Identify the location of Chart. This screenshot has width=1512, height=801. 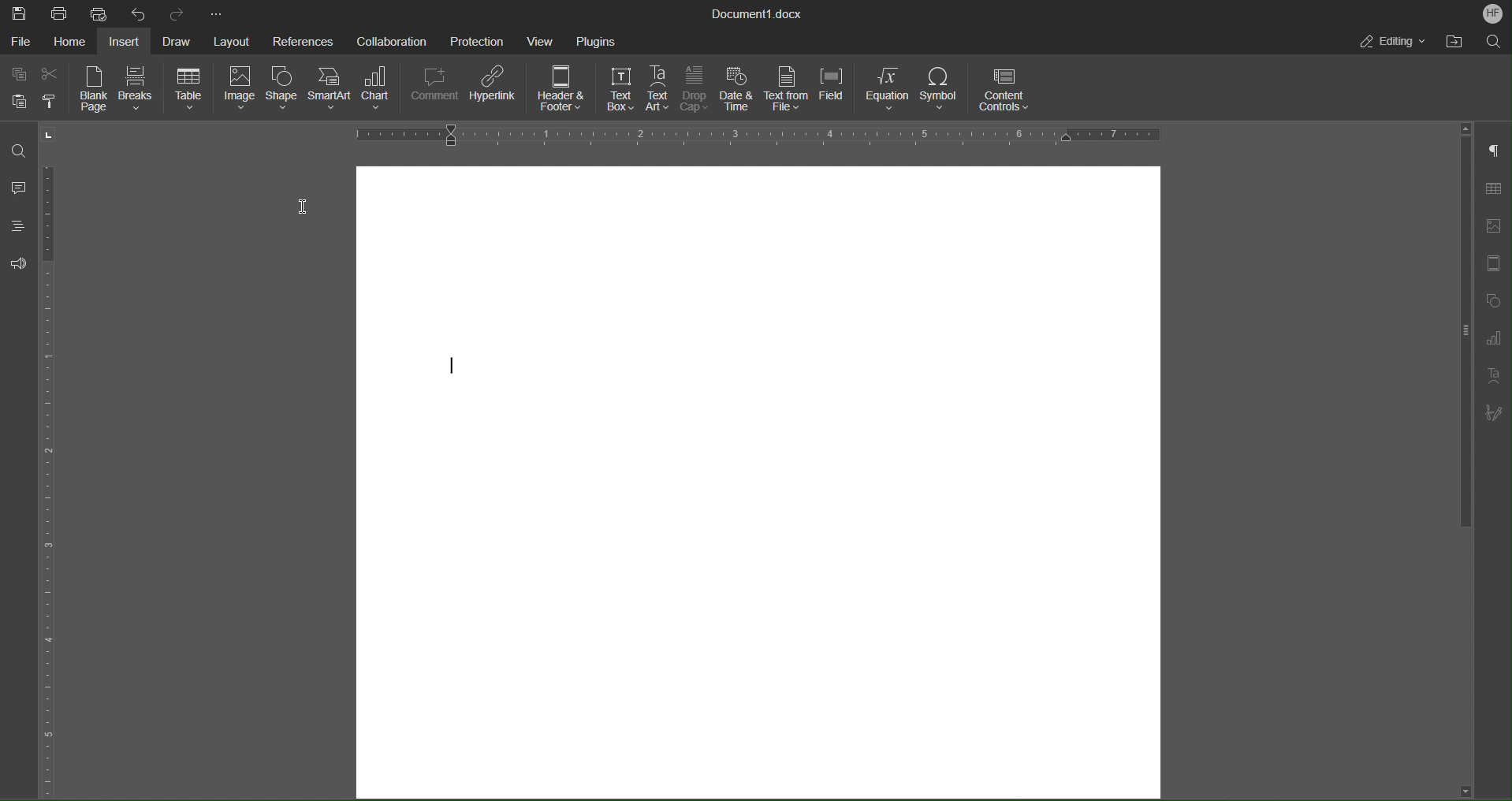
(377, 91).